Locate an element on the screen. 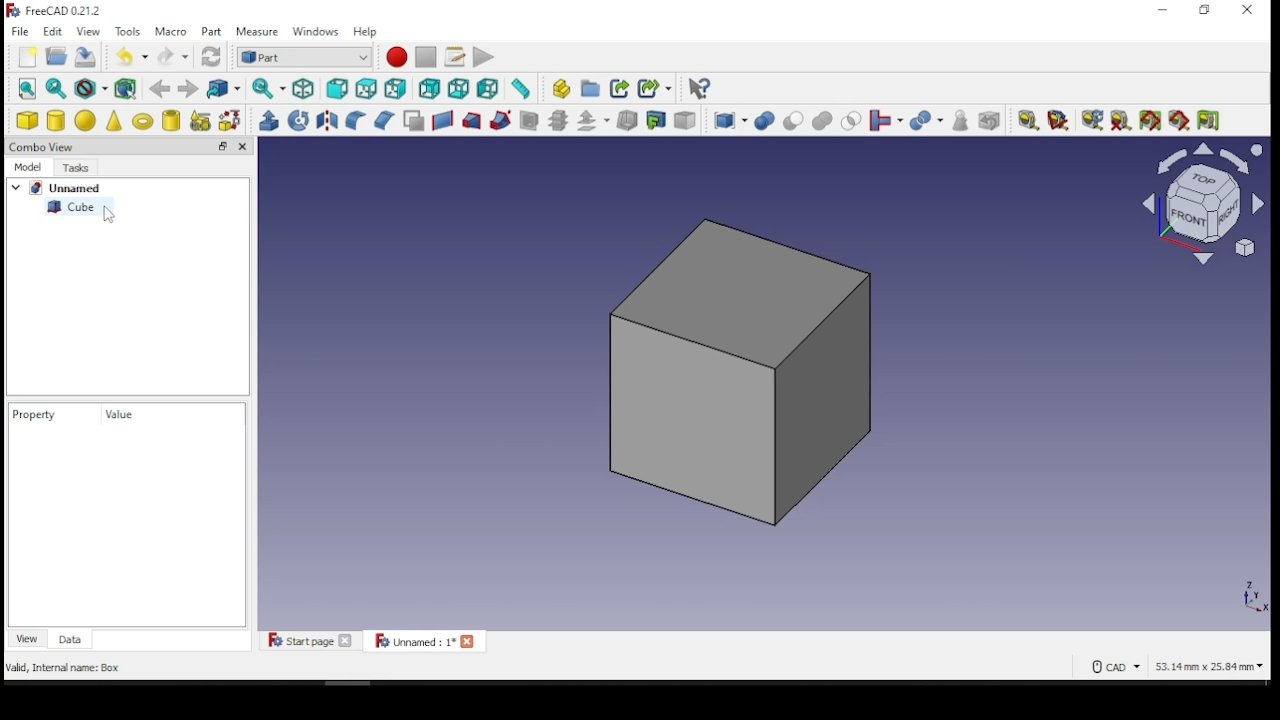 Image resolution: width=1280 pixels, height=720 pixels. restore is located at coordinates (1205, 11).